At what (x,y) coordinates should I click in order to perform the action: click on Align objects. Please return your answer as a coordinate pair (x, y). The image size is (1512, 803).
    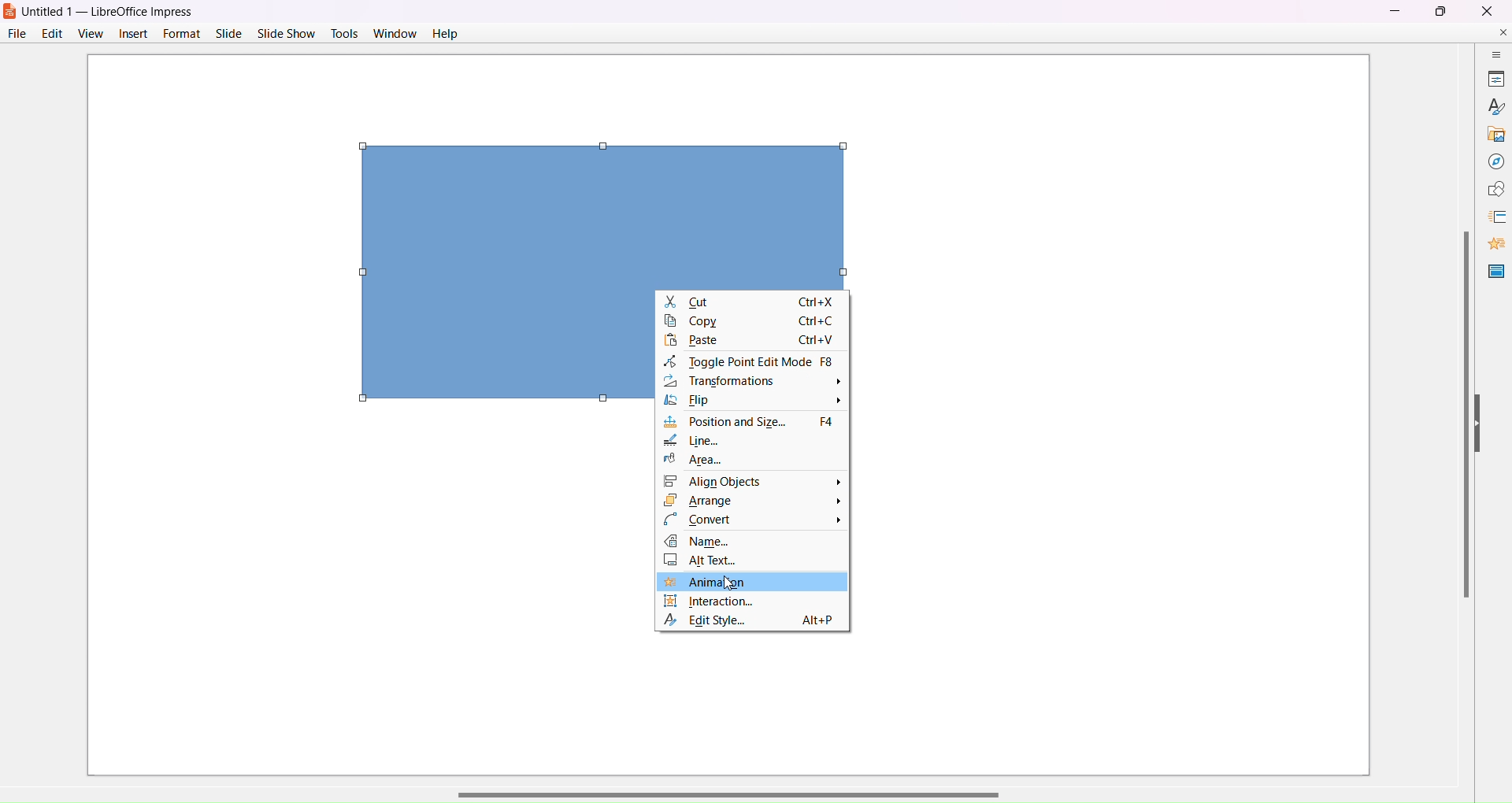
    Looking at the image, I should click on (755, 482).